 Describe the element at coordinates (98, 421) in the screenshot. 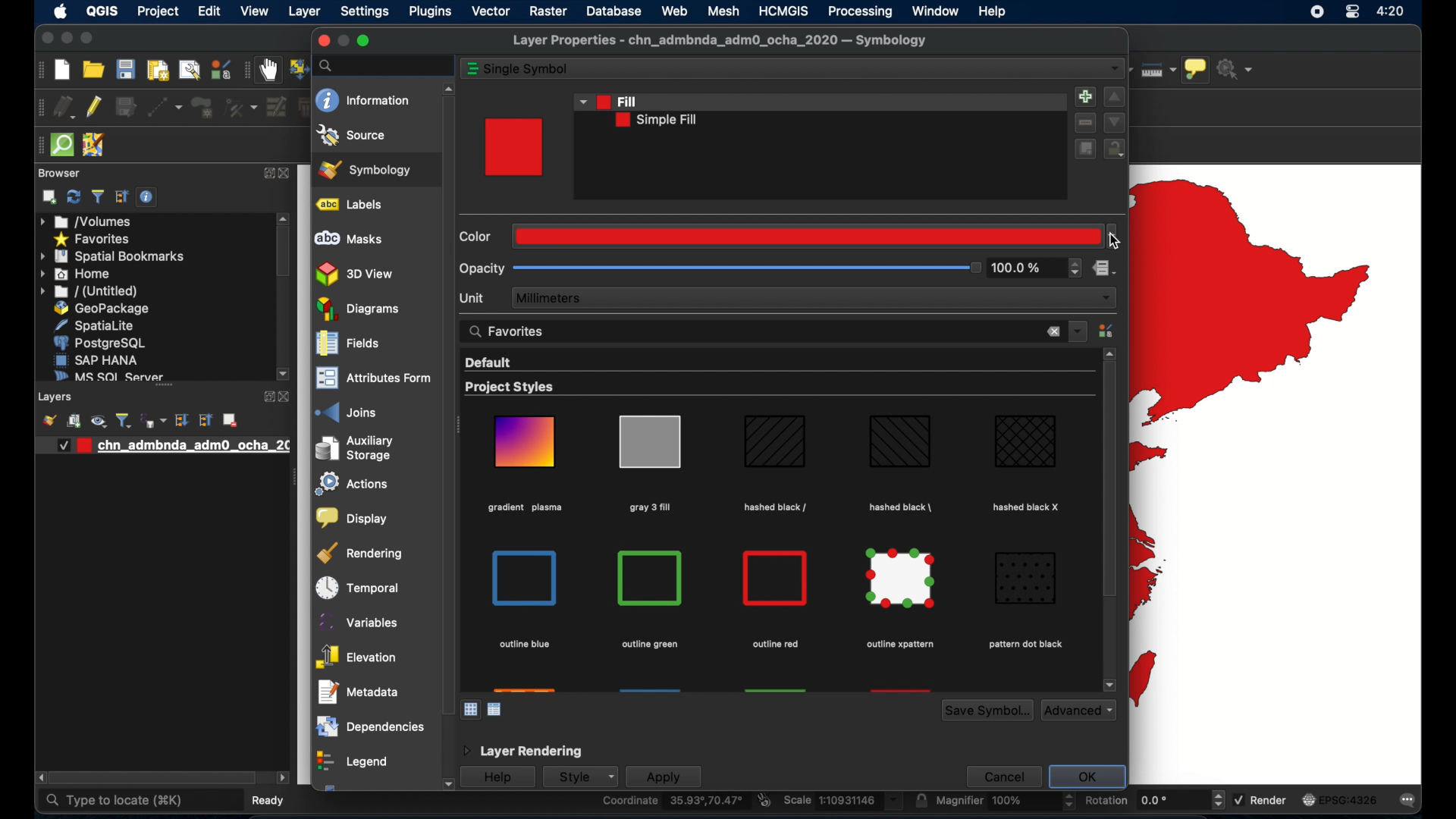

I see `manage map theme` at that location.